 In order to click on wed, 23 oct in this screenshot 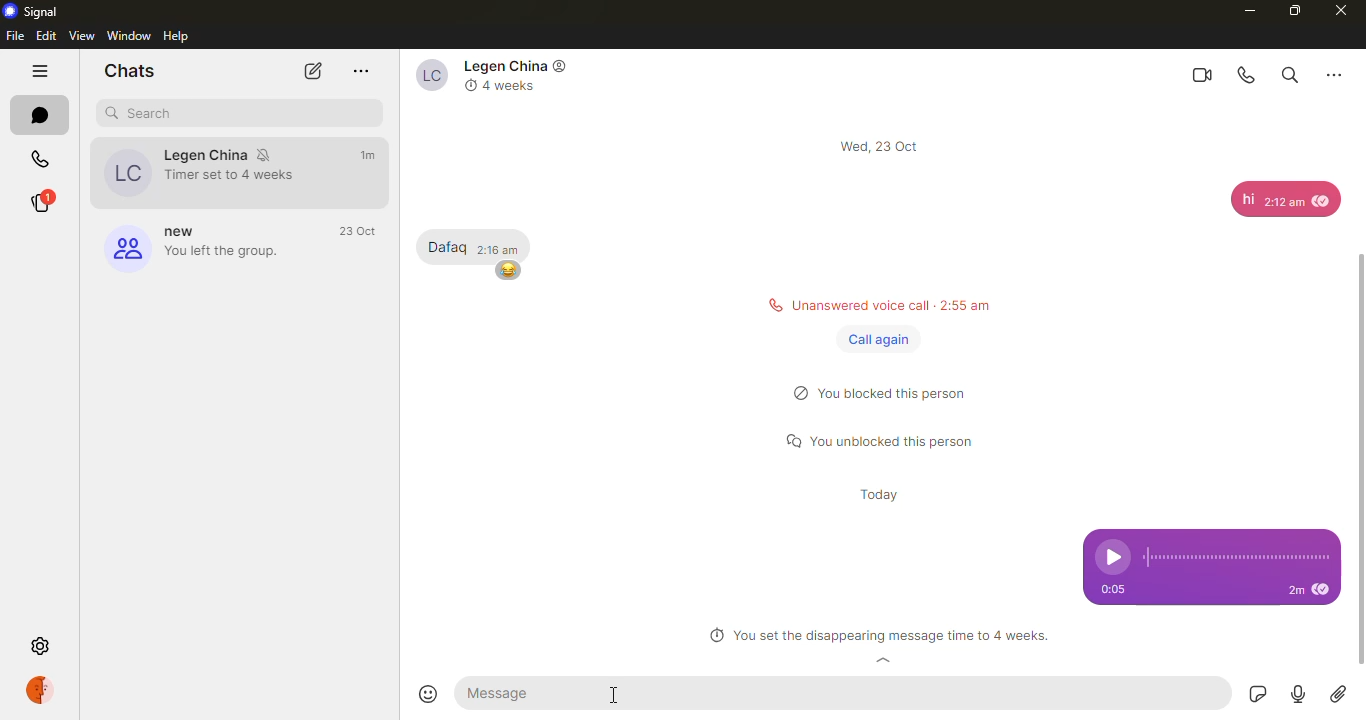, I will do `click(883, 146)`.